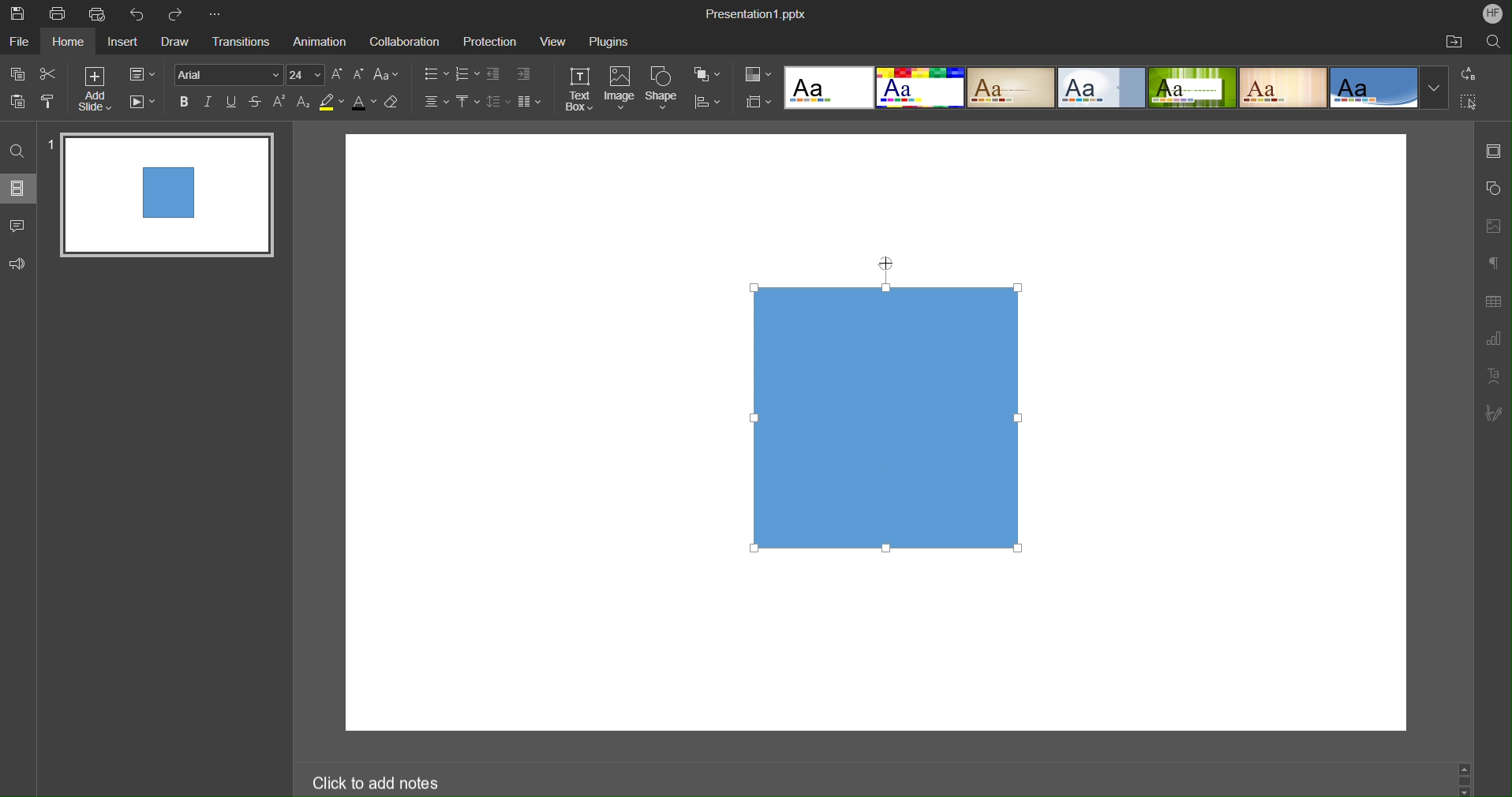  What do you see at coordinates (377, 783) in the screenshot?
I see `Click to add notes` at bounding box center [377, 783].